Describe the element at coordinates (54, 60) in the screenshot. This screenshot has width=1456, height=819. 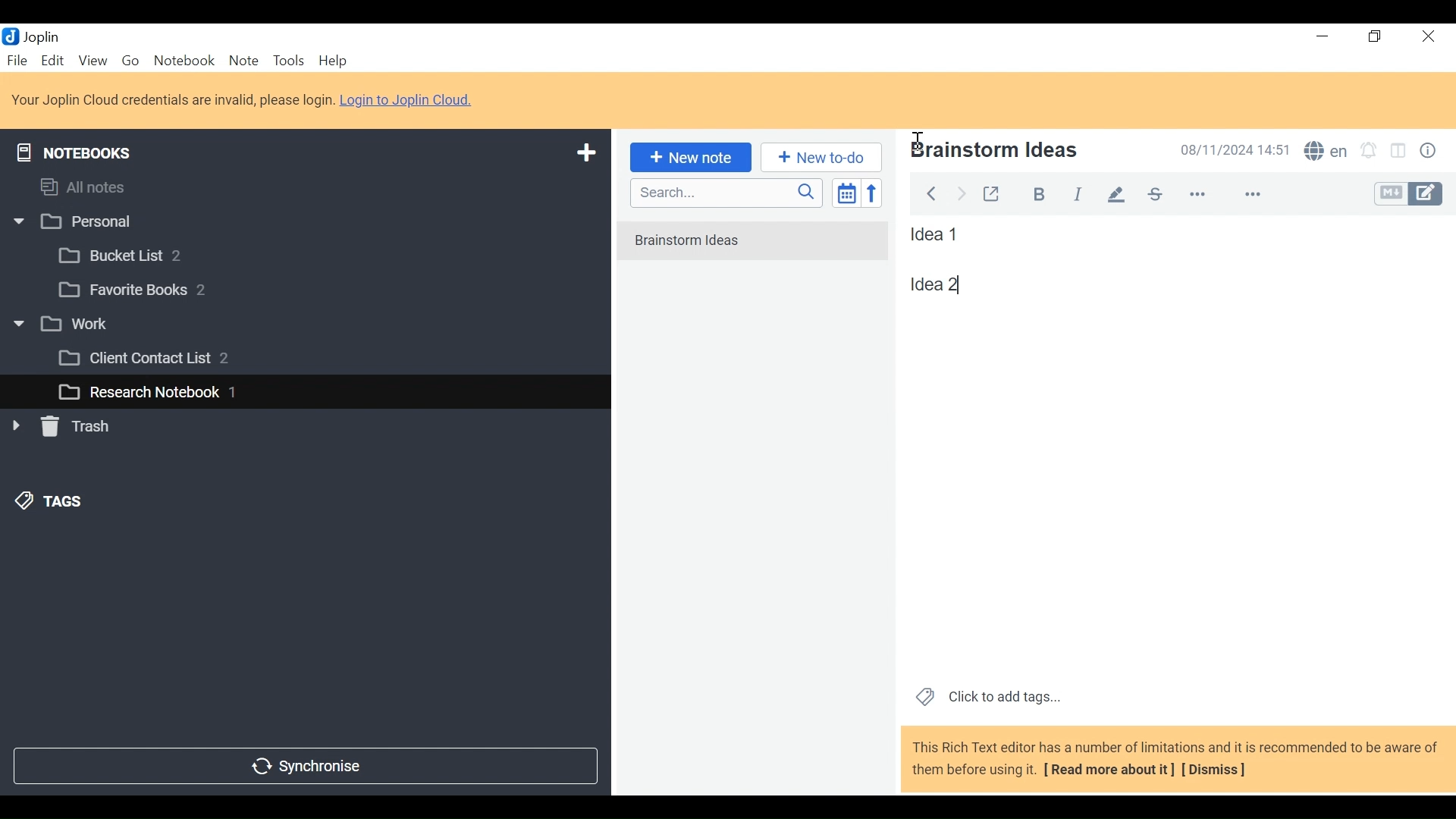
I see `Edit` at that location.